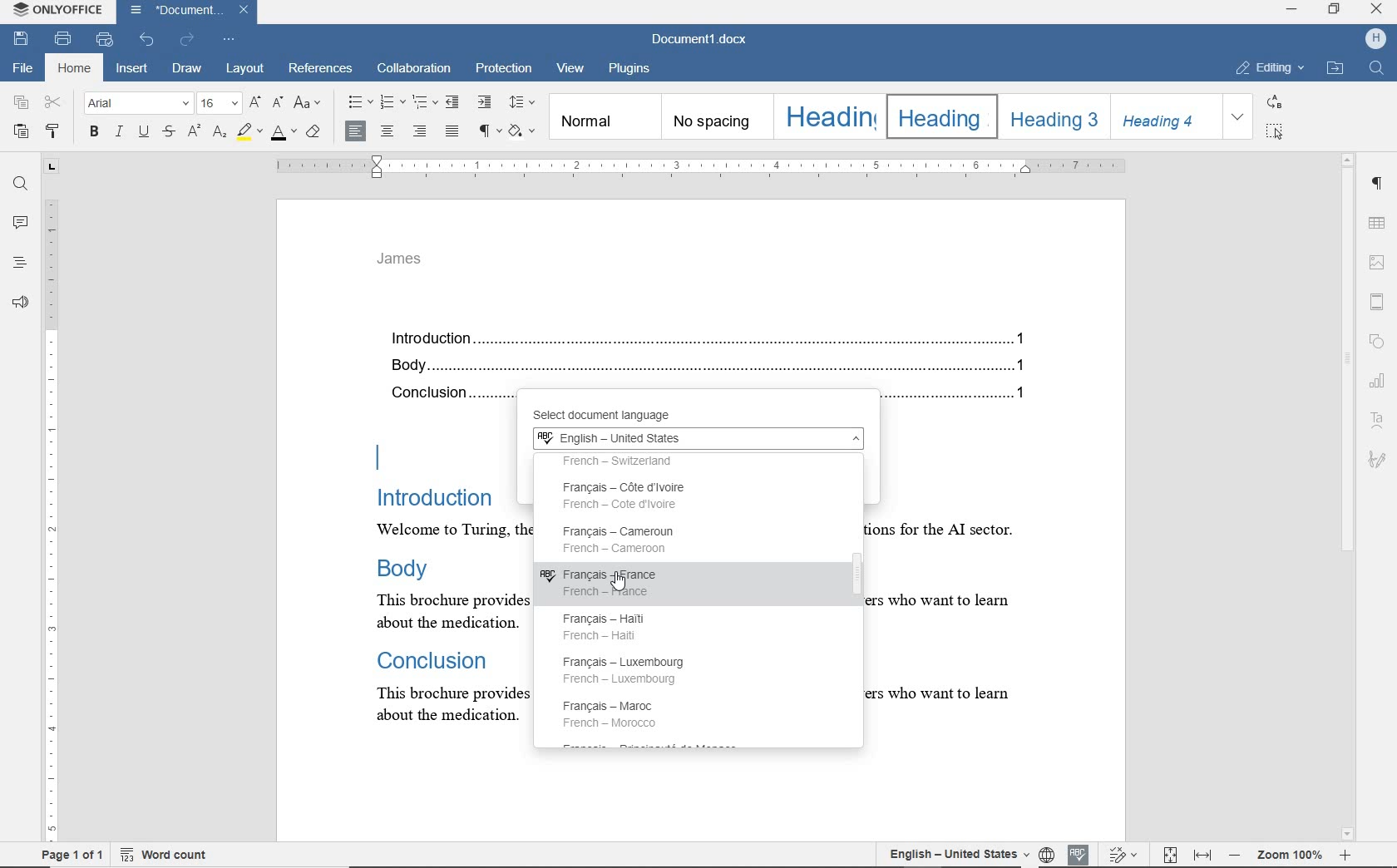 This screenshot has height=868, width=1397. I want to click on François - Cameroun, so click(620, 539).